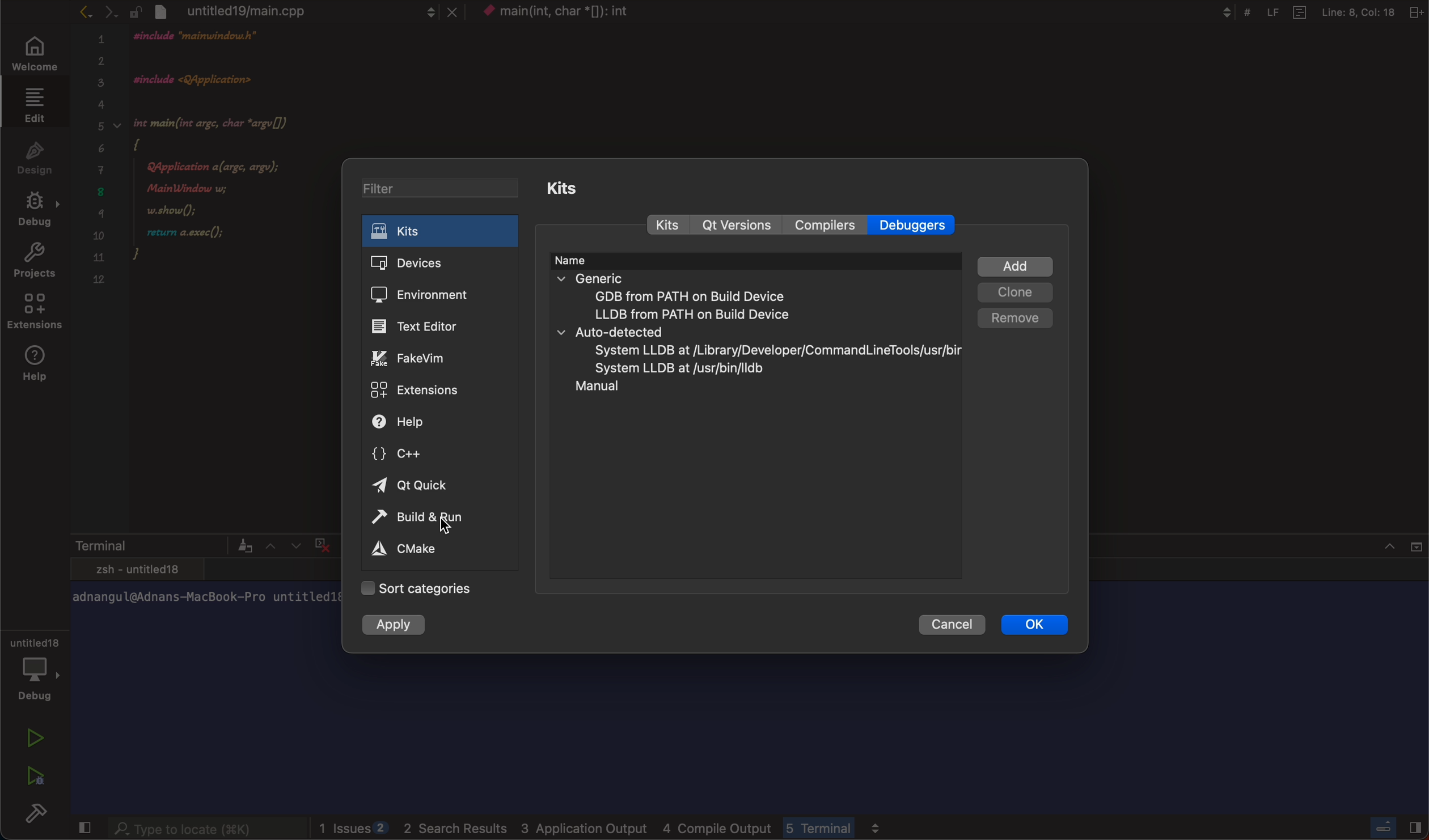 This screenshot has height=840, width=1429. I want to click on cmake, so click(410, 548).